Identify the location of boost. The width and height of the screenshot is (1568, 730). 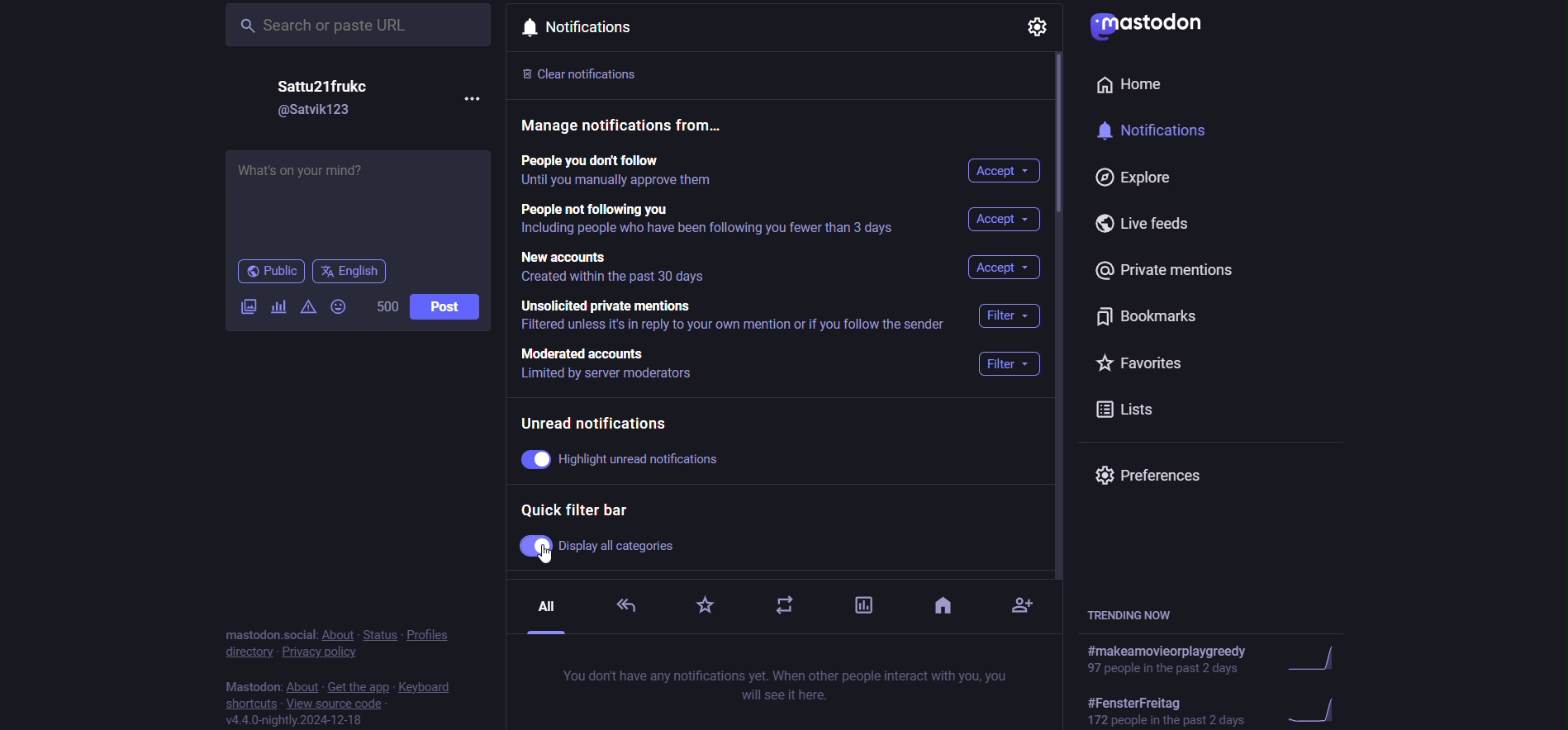
(782, 608).